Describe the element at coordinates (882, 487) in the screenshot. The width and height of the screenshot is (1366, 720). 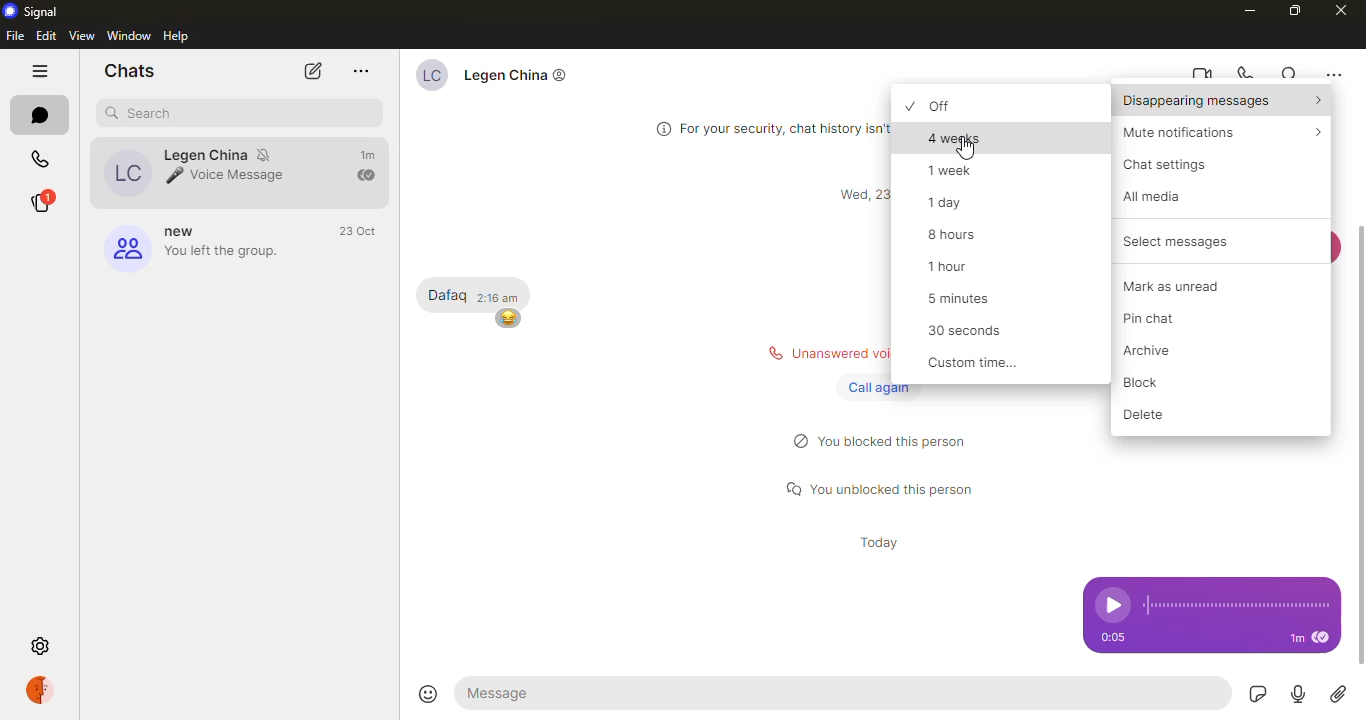
I see `status message` at that location.